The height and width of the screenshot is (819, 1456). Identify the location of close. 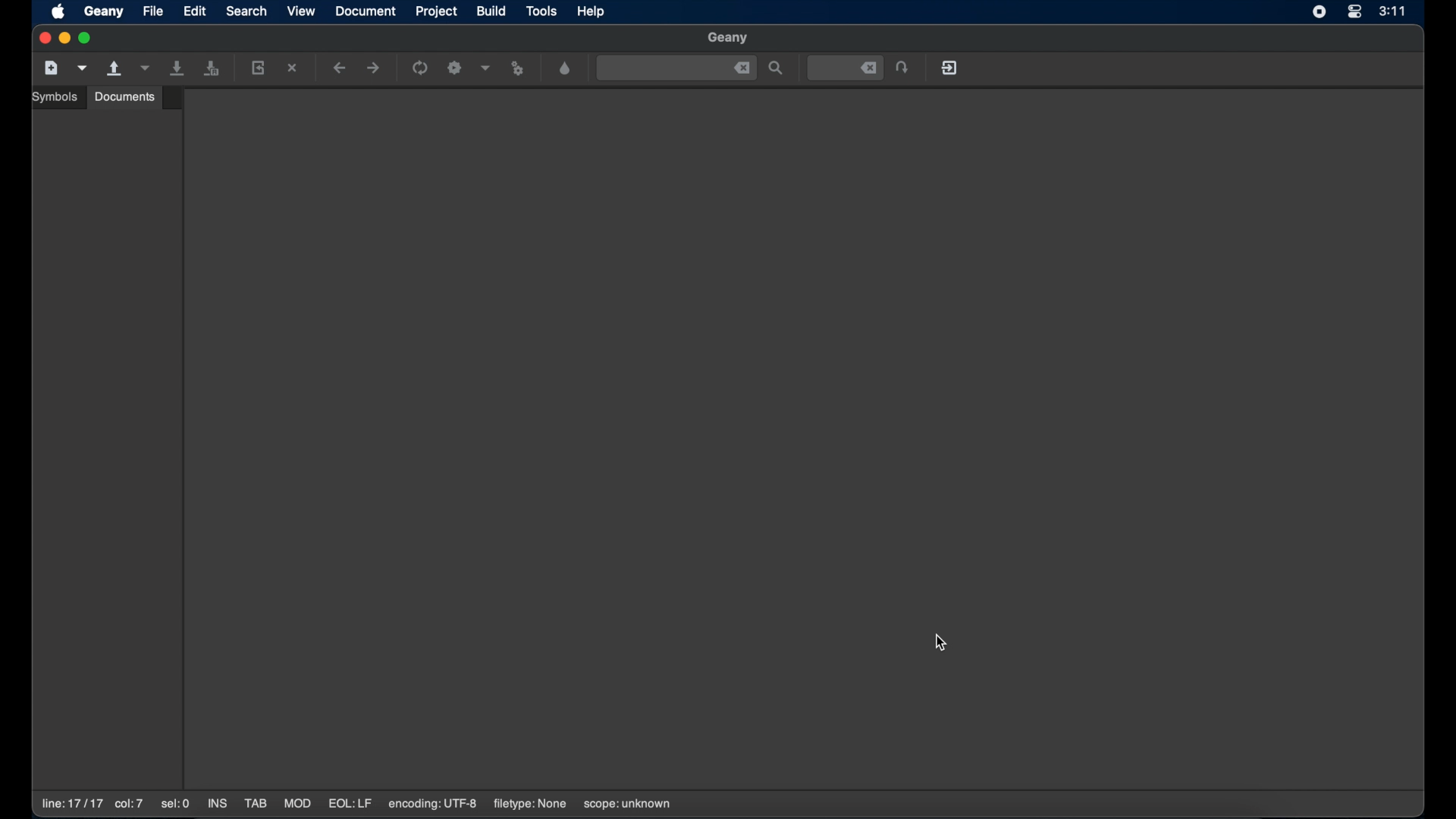
(742, 68).